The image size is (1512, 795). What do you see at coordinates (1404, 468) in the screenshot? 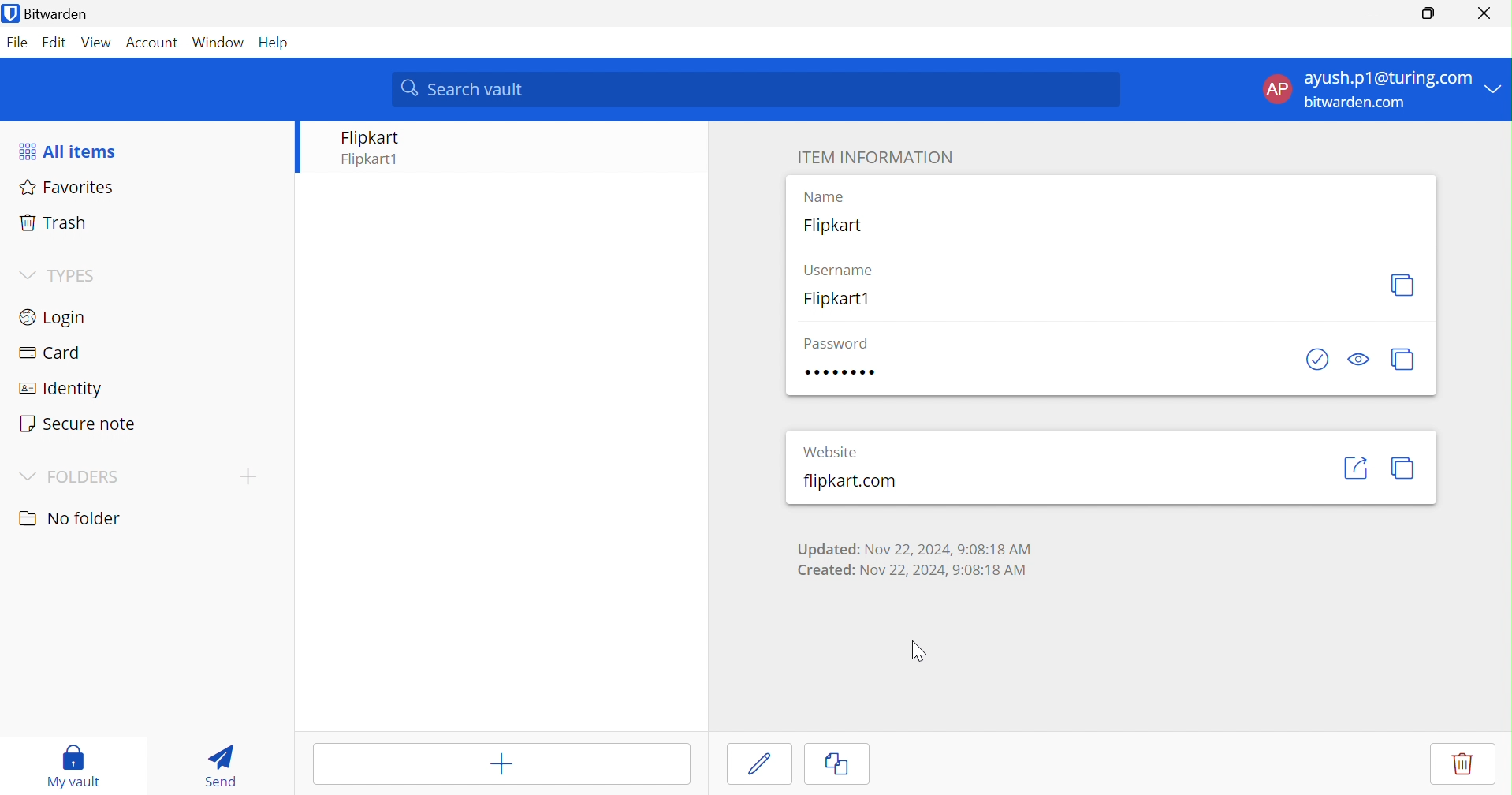
I see `Copy URL` at bounding box center [1404, 468].